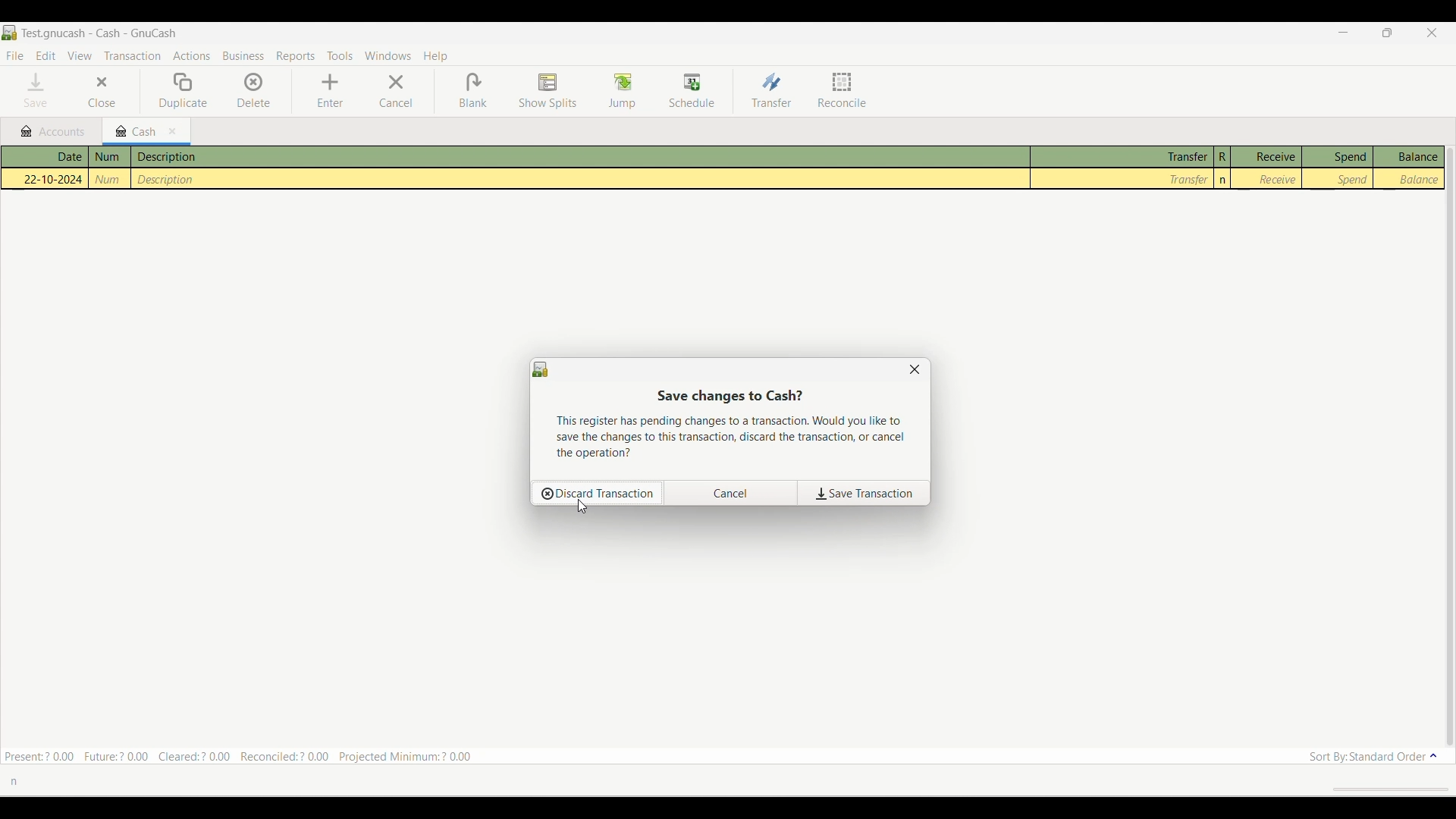 This screenshot has height=819, width=1456. What do you see at coordinates (1431, 33) in the screenshot?
I see `Close interface` at bounding box center [1431, 33].